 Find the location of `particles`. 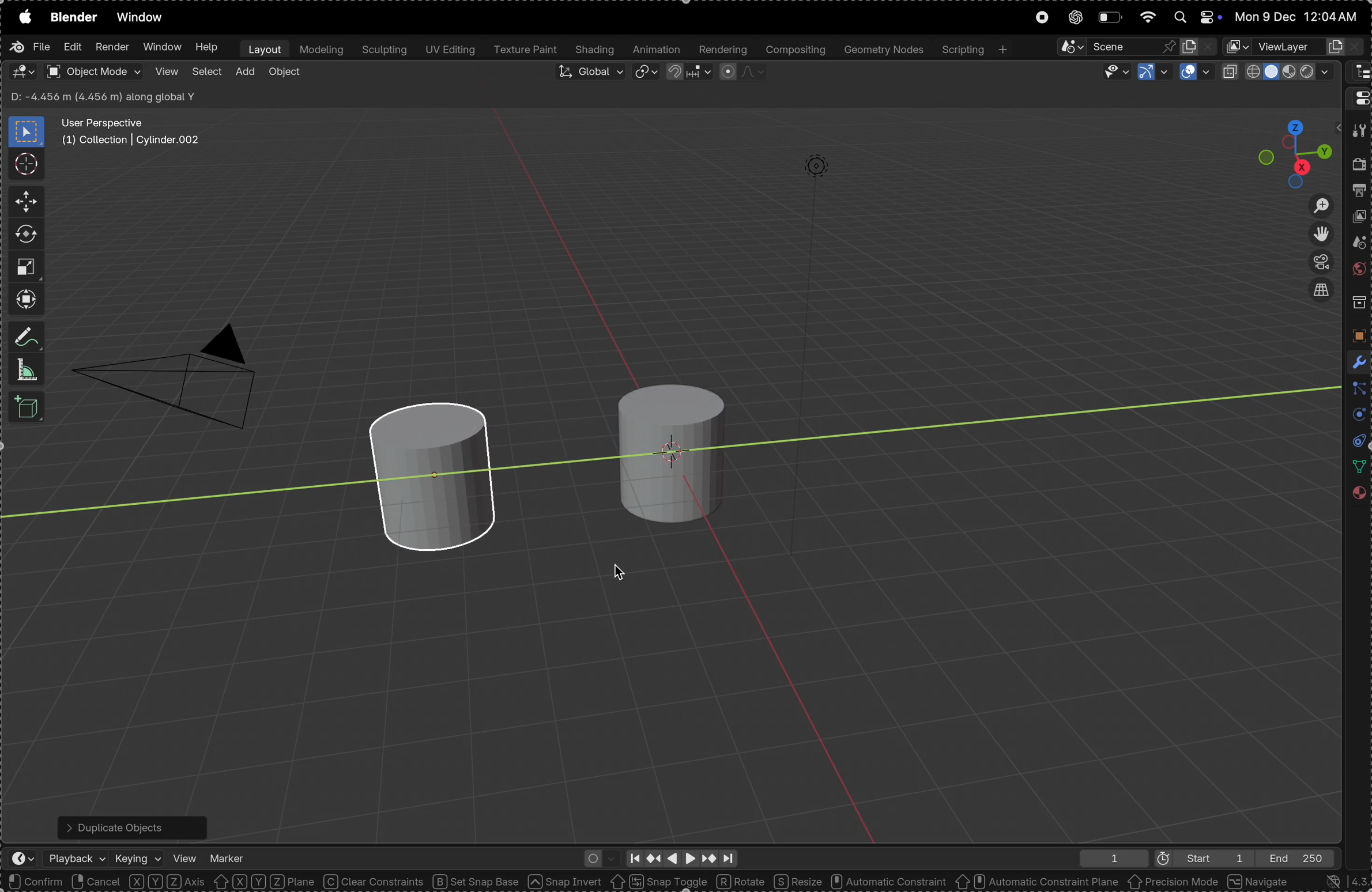

particles is located at coordinates (1356, 390).